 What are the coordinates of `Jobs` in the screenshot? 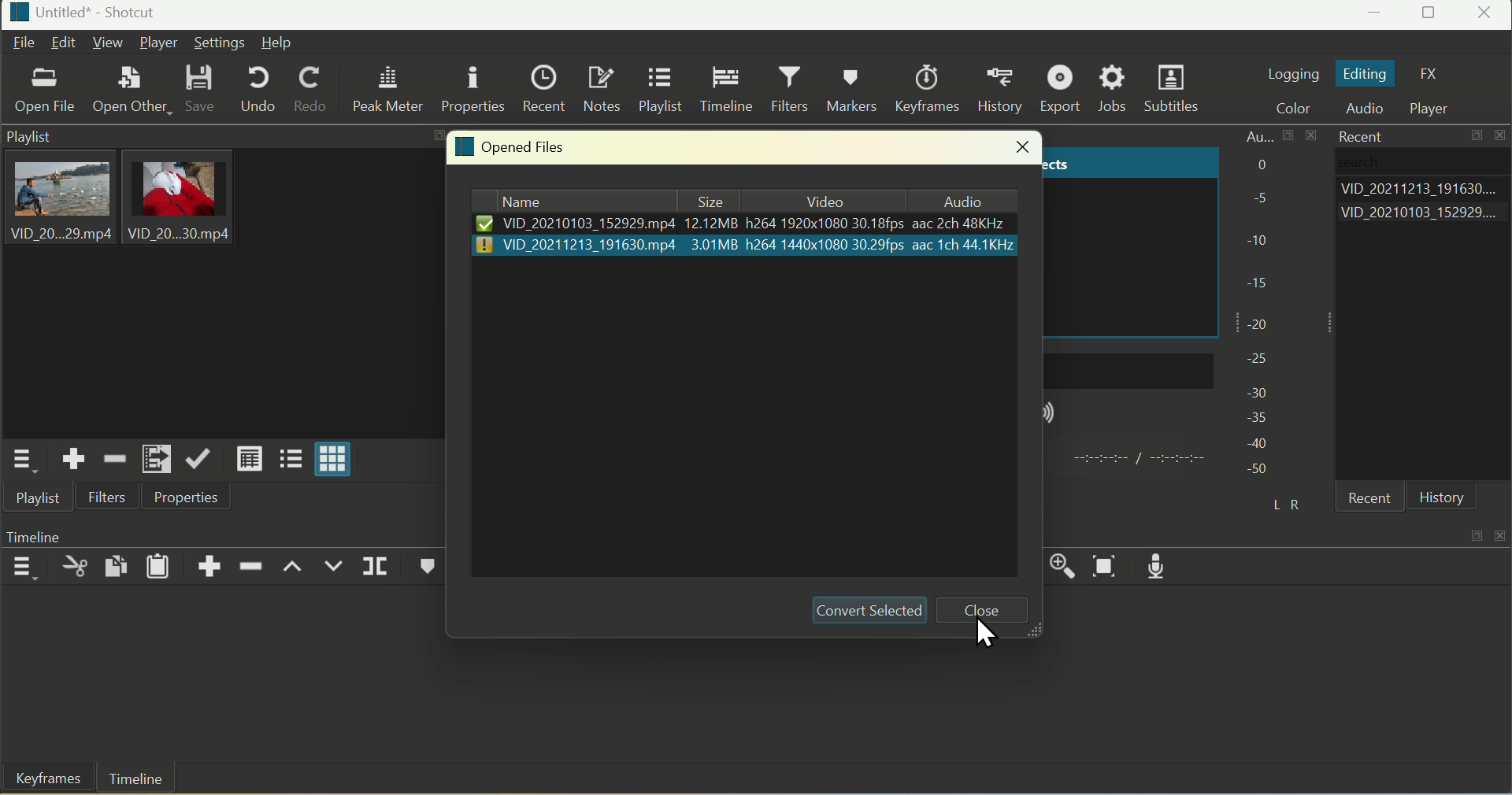 It's located at (1114, 89).